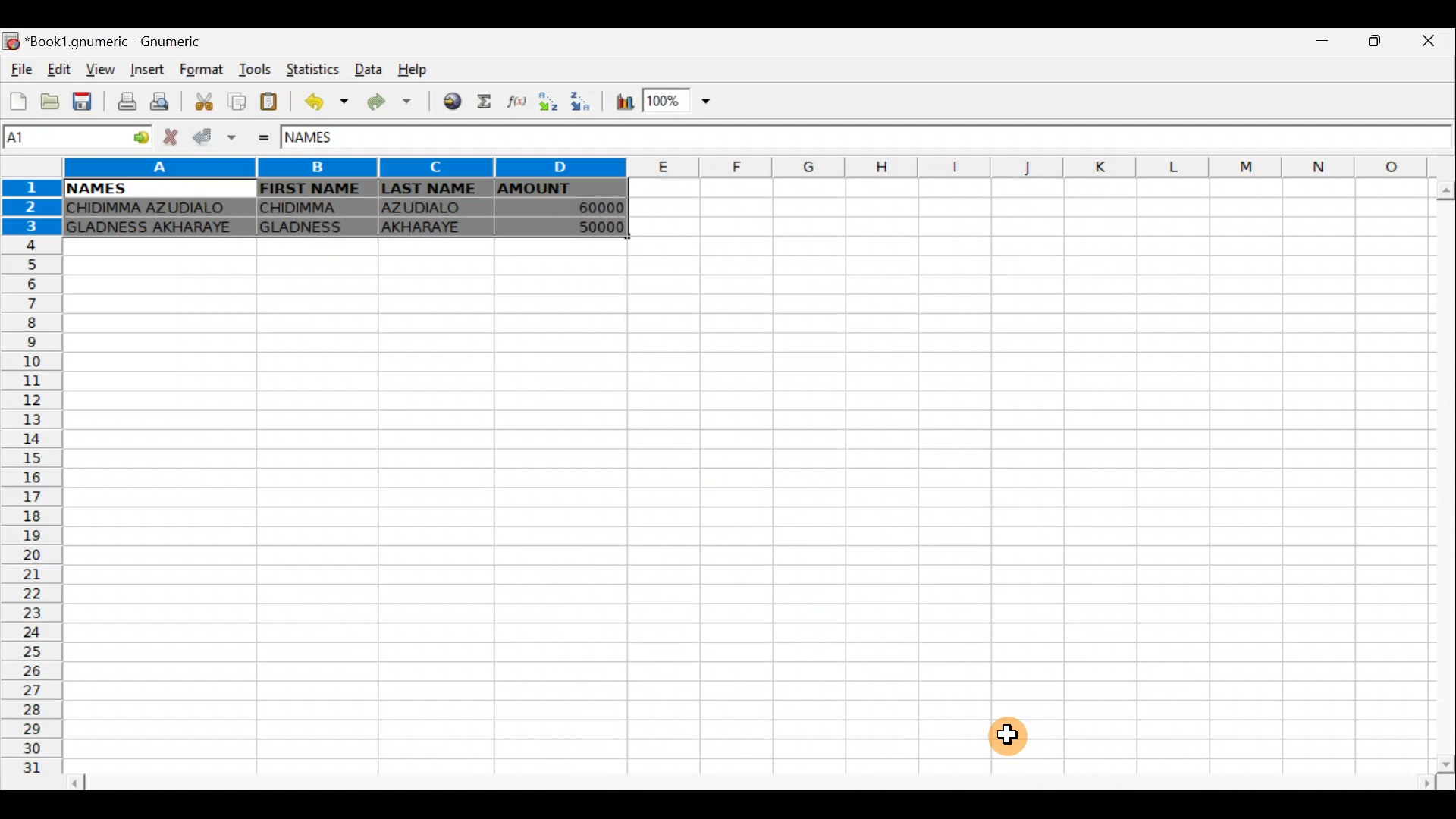 The image size is (1456, 819). What do you see at coordinates (268, 103) in the screenshot?
I see `Paste clipboard` at bounding box center [268, 103].